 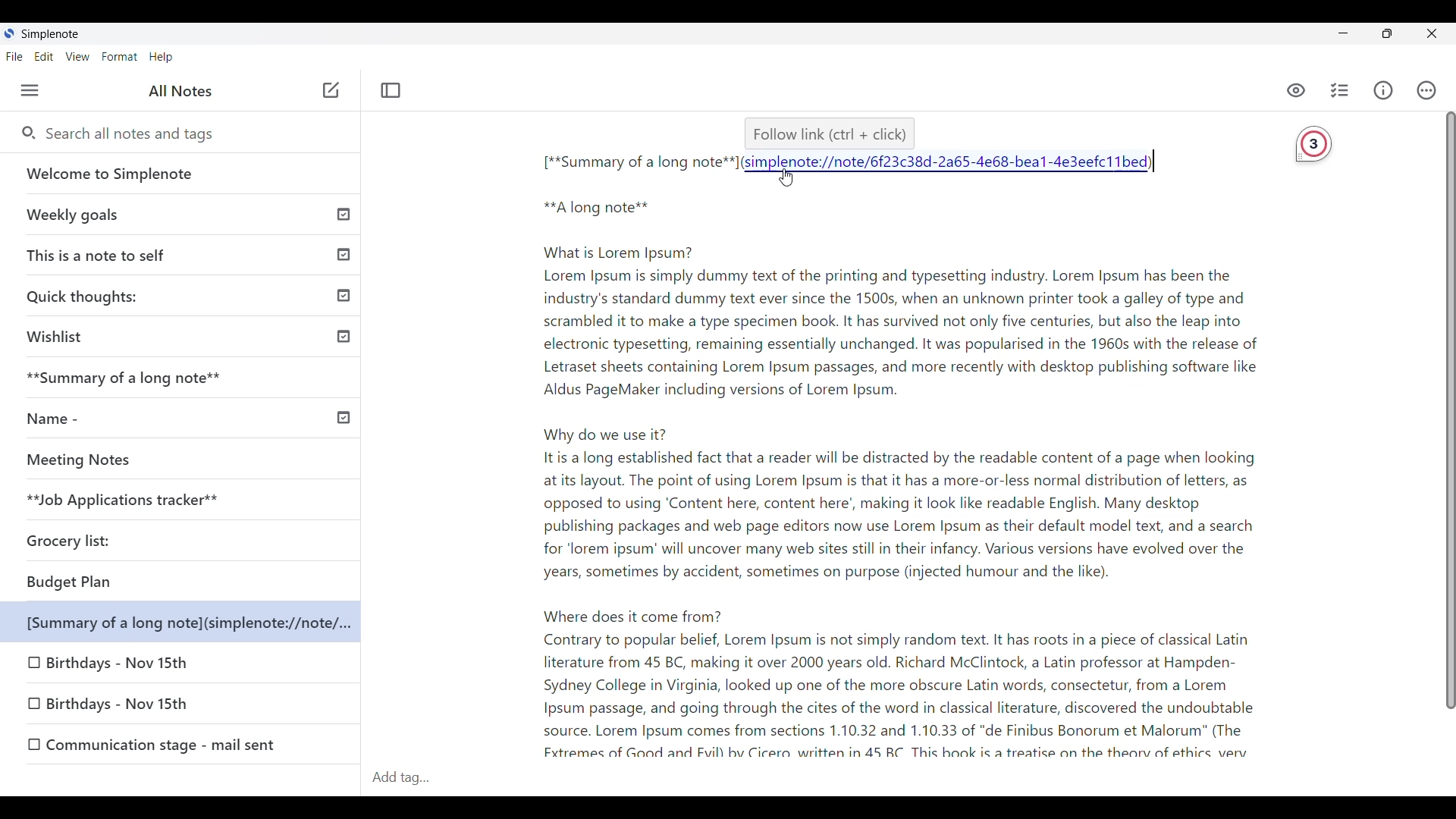 I want to click on SimpleNote, so click(x=47, y=33).